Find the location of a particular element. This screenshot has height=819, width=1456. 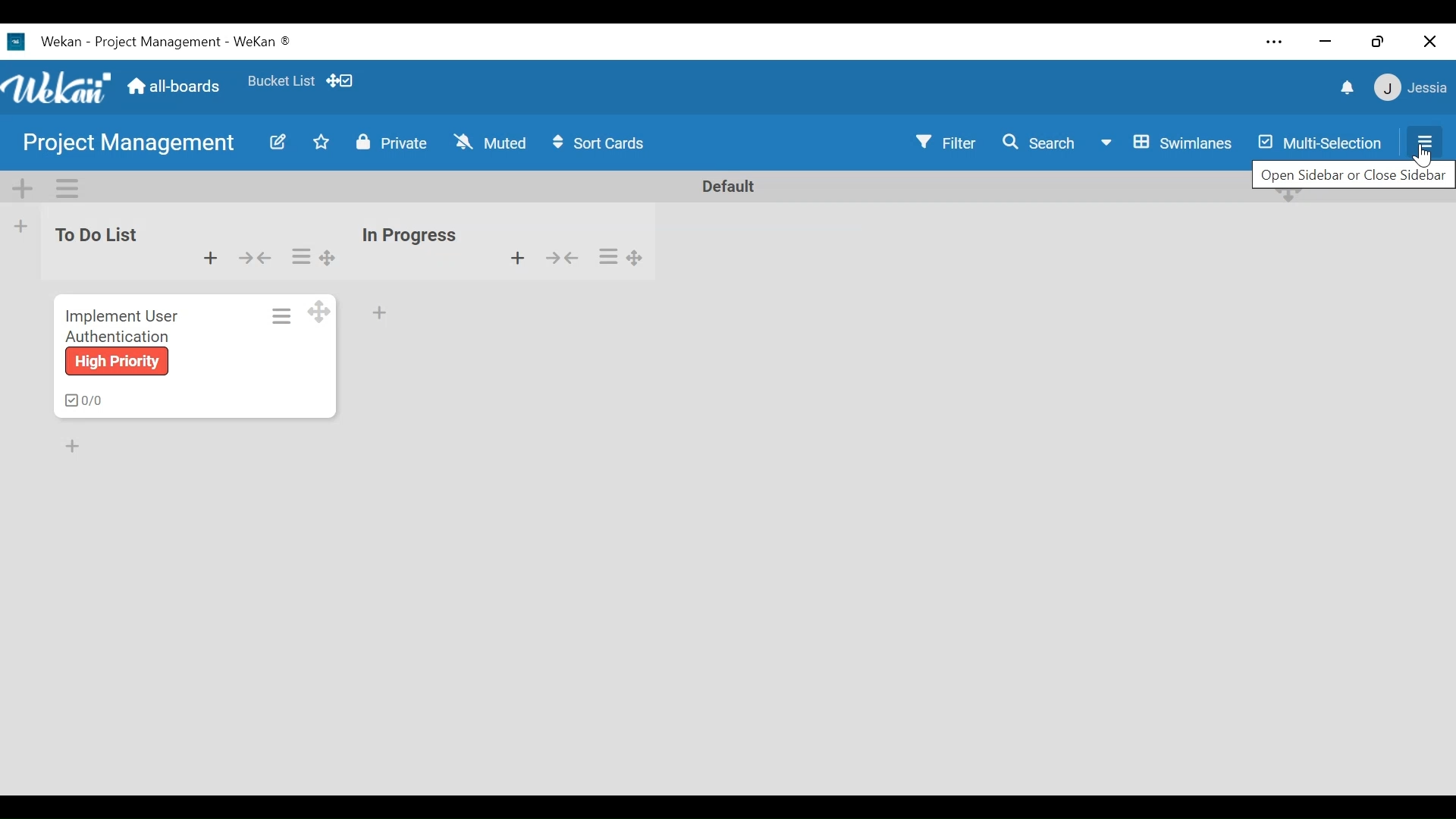

notifications is located at coordinates (1349, 88).